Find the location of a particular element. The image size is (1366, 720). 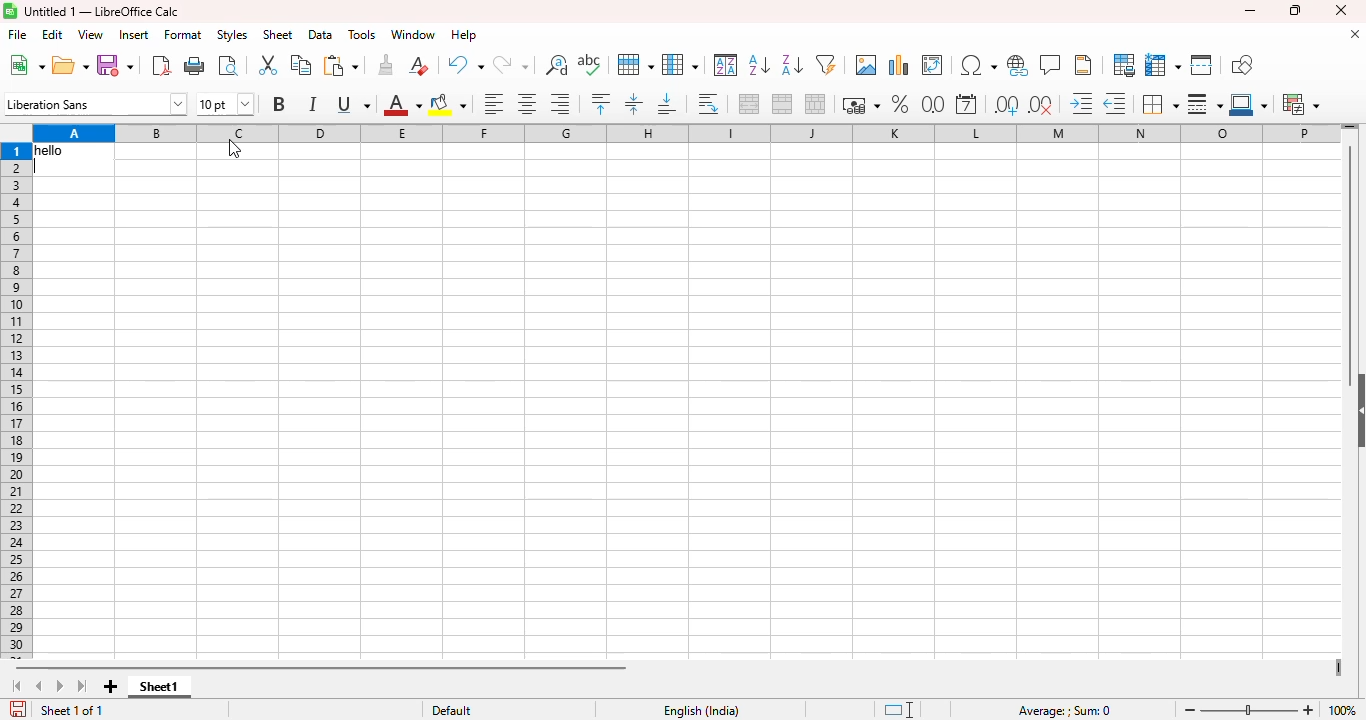

title is located at coordinates (102, 11).